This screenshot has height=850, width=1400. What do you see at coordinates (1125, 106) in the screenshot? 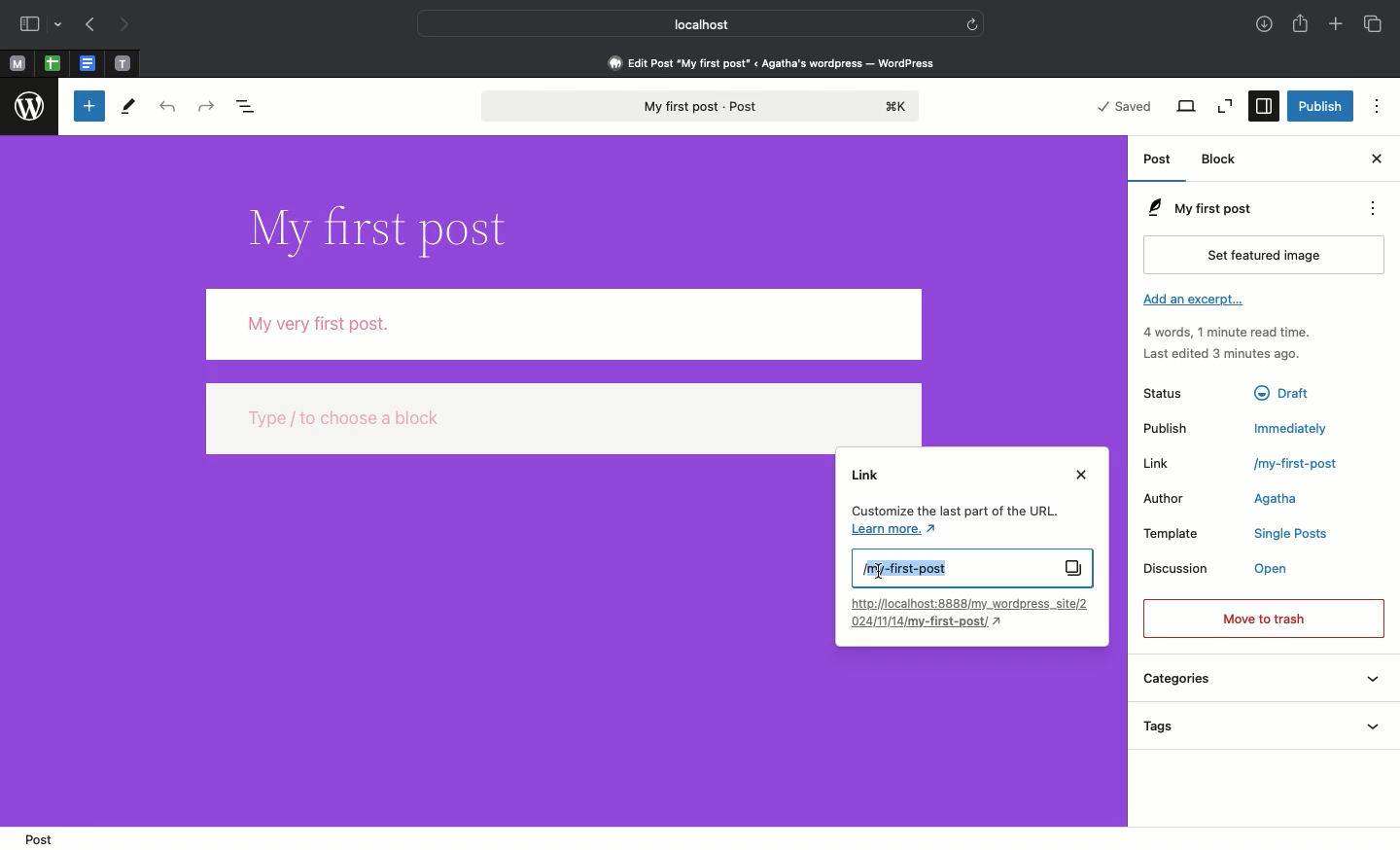
I see `Saved` at bounding box center [1125, 106].